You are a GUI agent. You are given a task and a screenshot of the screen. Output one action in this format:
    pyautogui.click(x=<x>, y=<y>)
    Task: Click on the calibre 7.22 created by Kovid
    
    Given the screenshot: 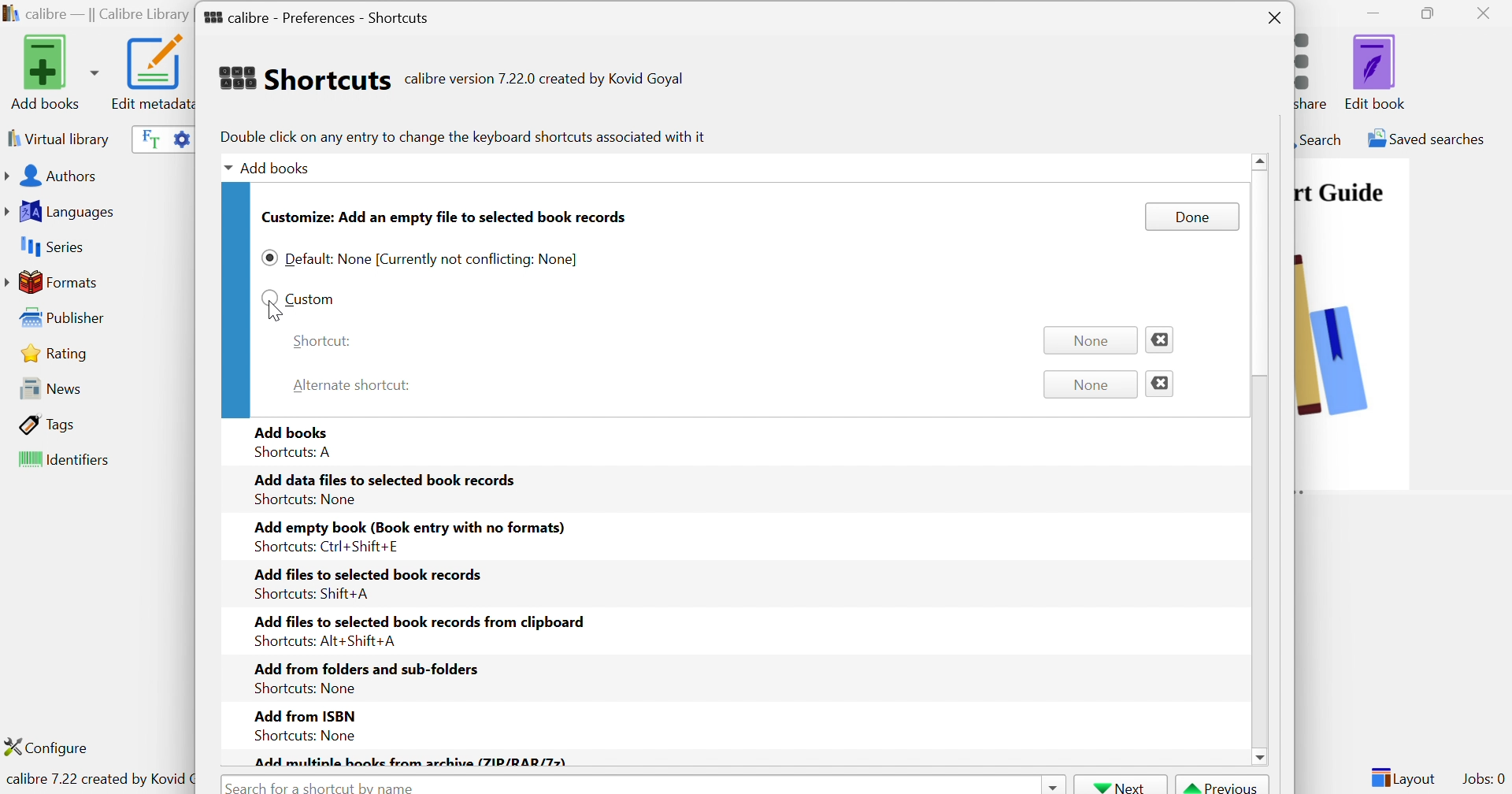 What is the action you would take?
    pyautogui.click(x=97, y=781)
    